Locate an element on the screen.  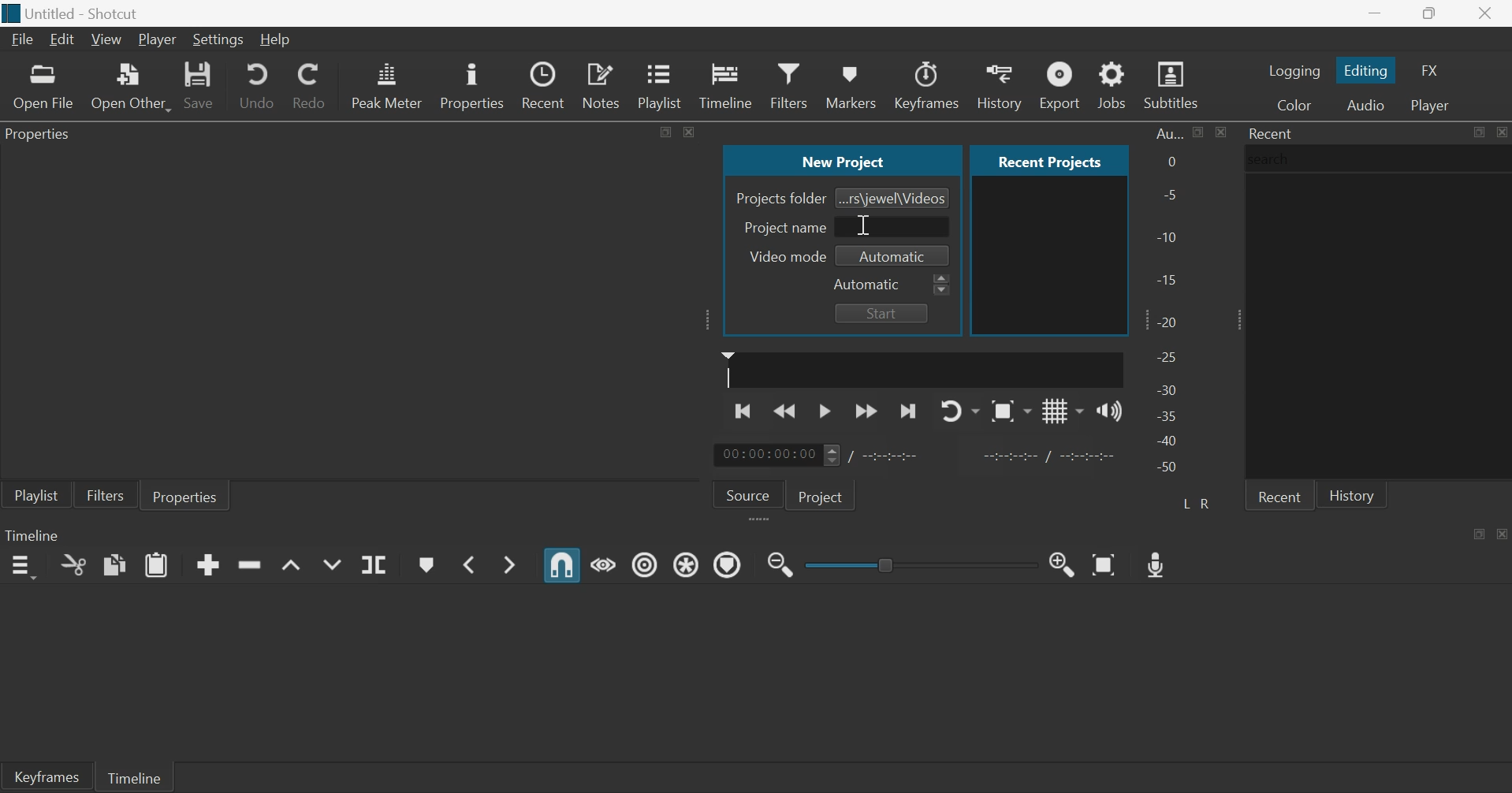
Filters is located at coordinates (105, 494).